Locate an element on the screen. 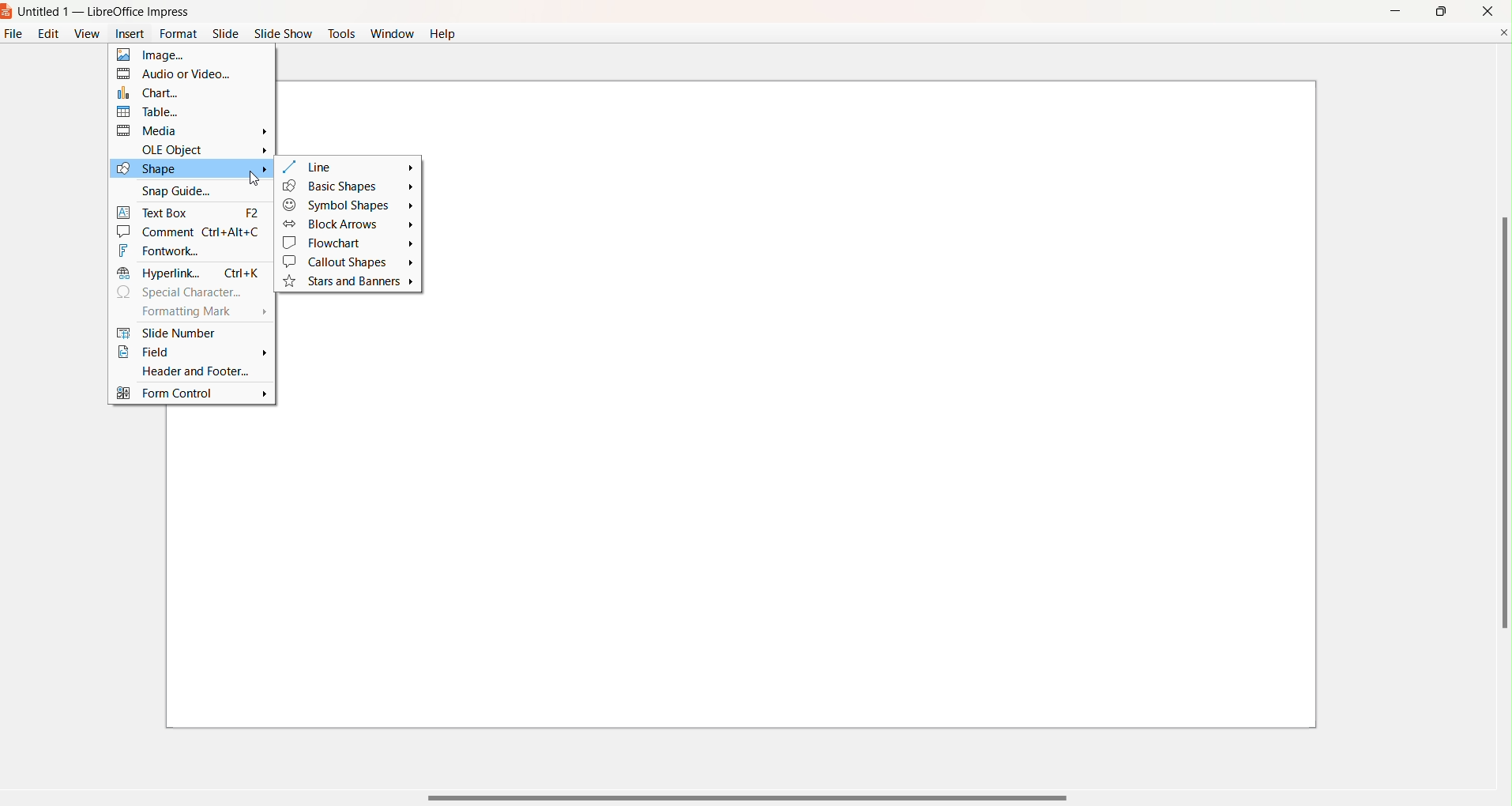 The width and height of the screenshot is (1512, 806). Tools is located at coordinates (342, 32).